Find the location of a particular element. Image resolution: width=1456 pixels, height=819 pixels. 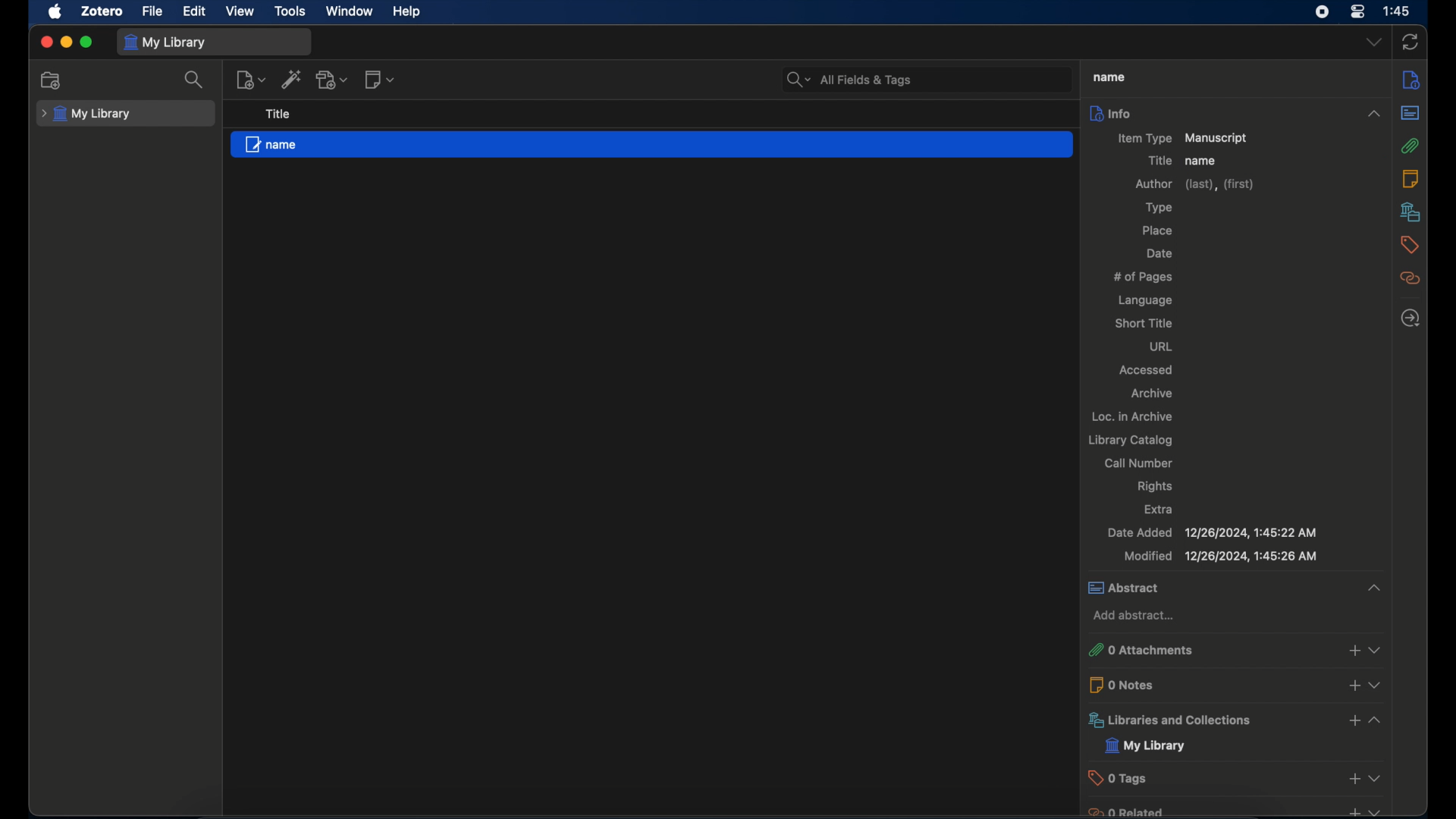

my library is located at coordinates (165, 42).